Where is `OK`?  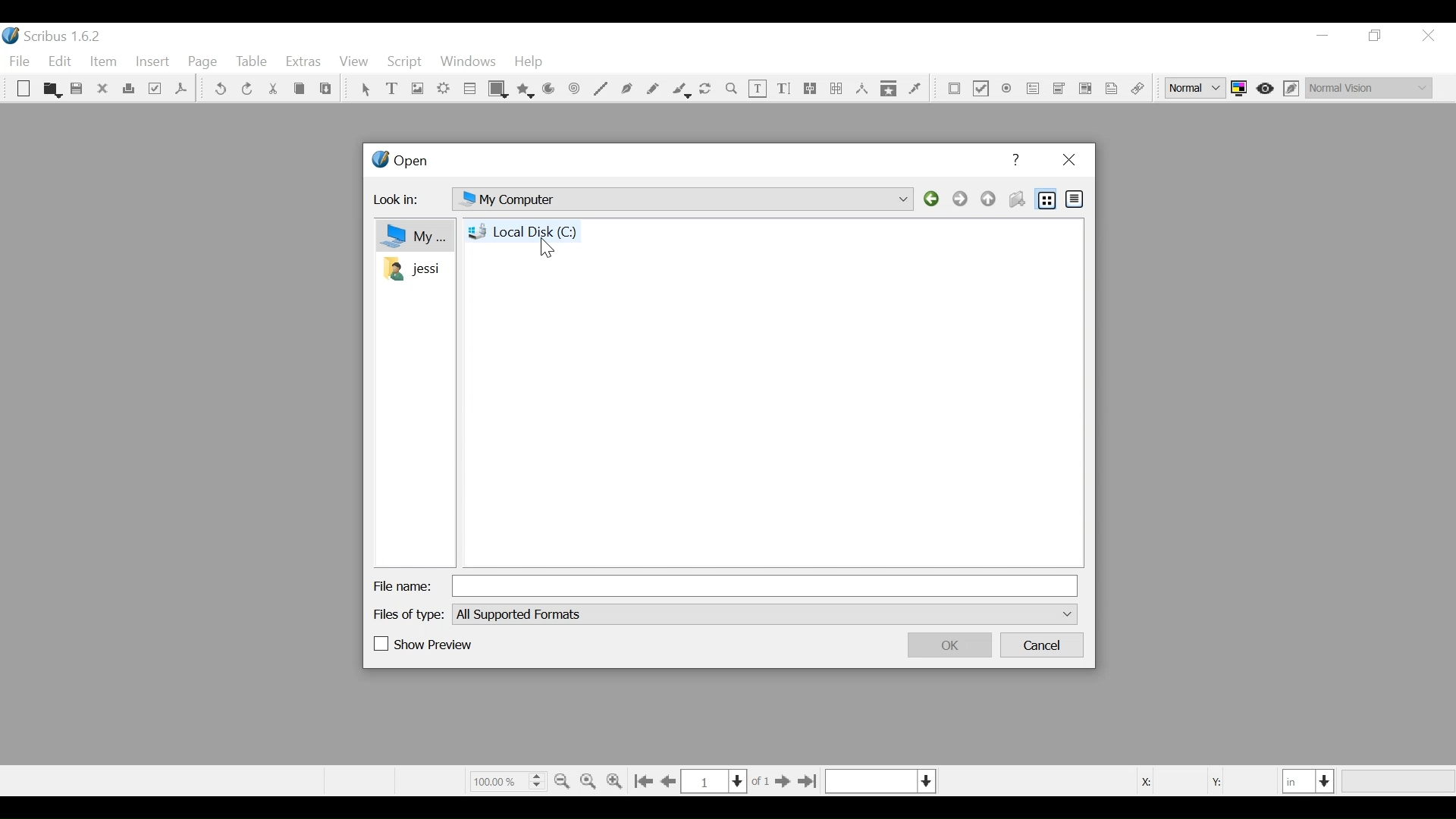 OK is located at coordinates (947, 645).